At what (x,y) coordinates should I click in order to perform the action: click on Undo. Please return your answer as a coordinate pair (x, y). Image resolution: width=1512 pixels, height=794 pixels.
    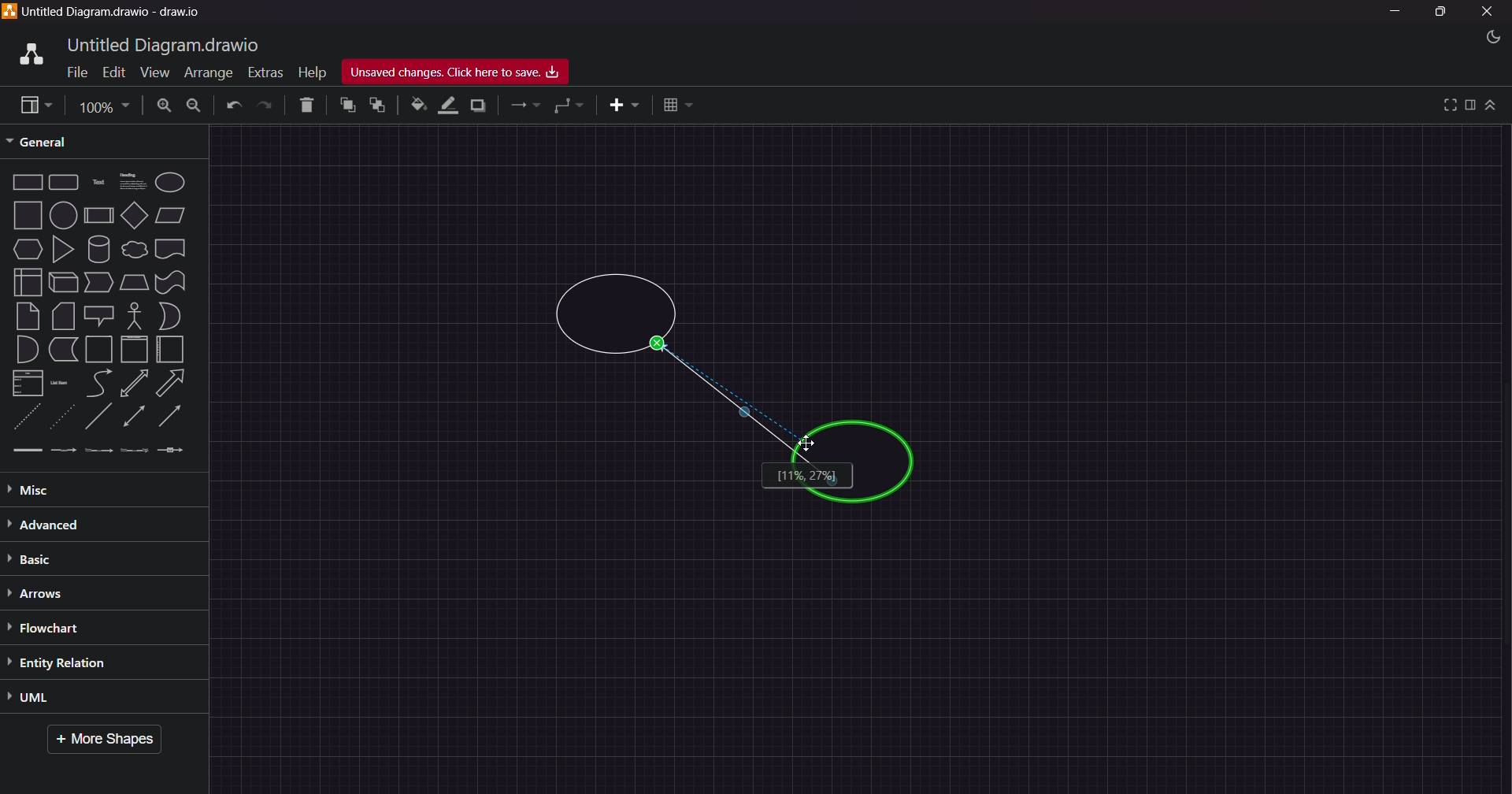
    Looking at the image, I should click on (233, 106).